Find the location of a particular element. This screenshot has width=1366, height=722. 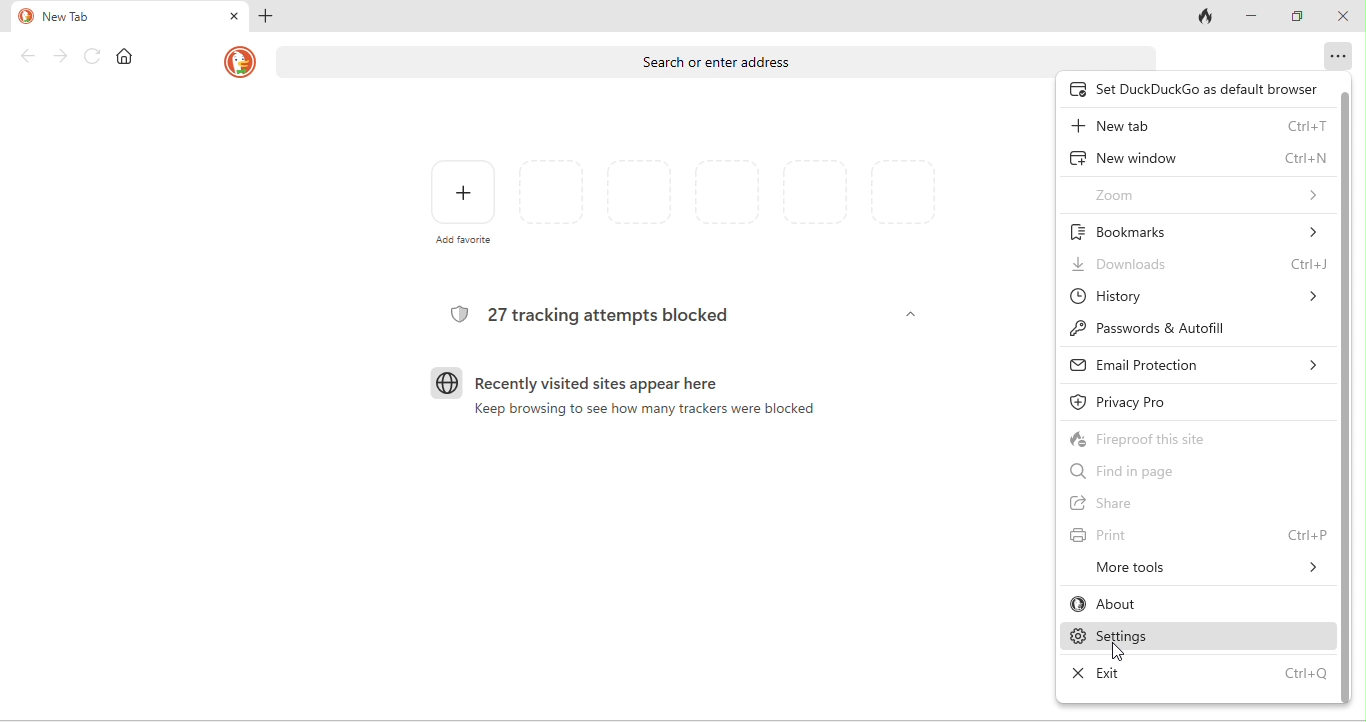

close tab and clear data is located at coordinates (1206, 16).